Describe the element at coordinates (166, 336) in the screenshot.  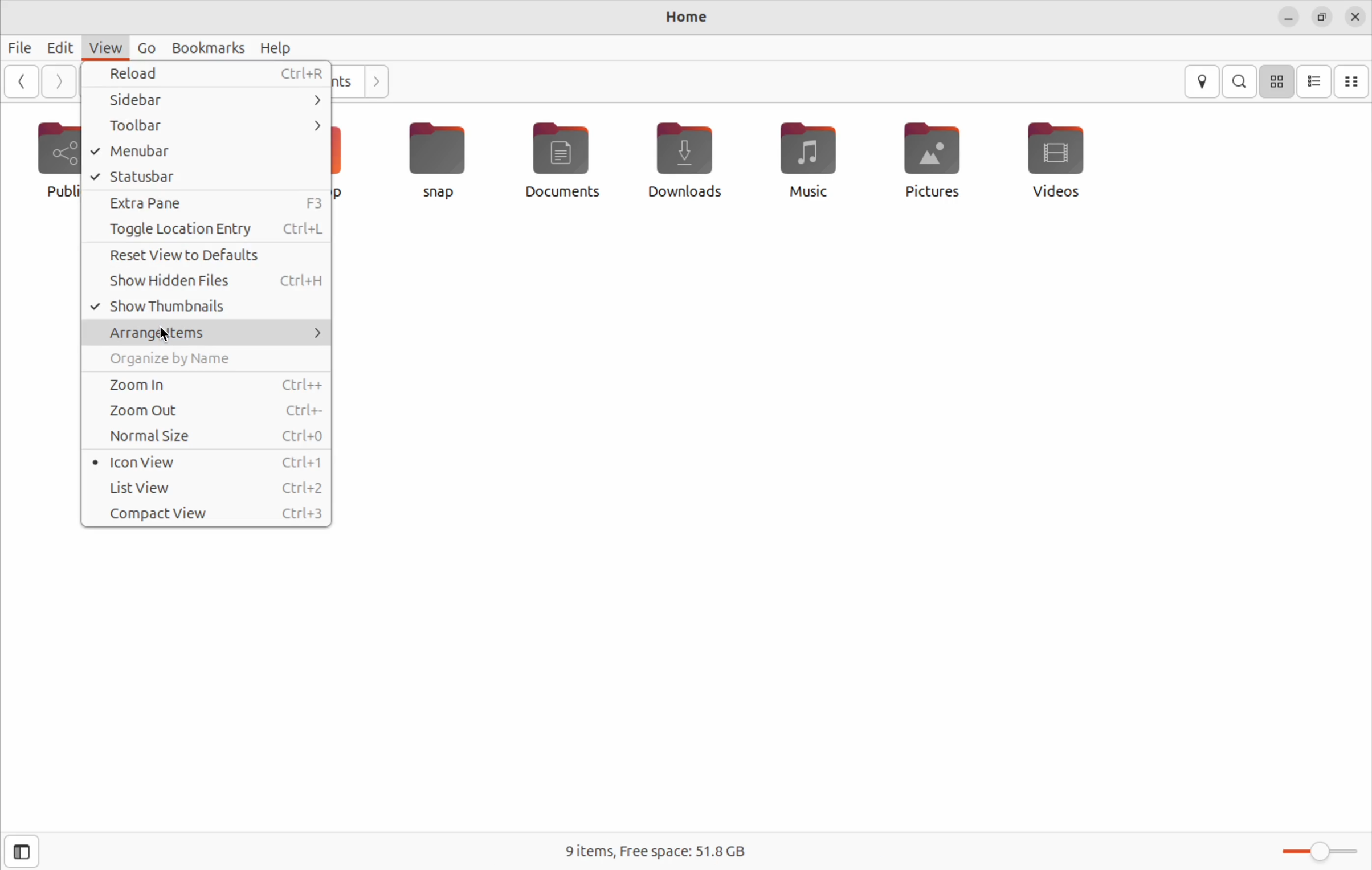
I see `cursor` at that location.